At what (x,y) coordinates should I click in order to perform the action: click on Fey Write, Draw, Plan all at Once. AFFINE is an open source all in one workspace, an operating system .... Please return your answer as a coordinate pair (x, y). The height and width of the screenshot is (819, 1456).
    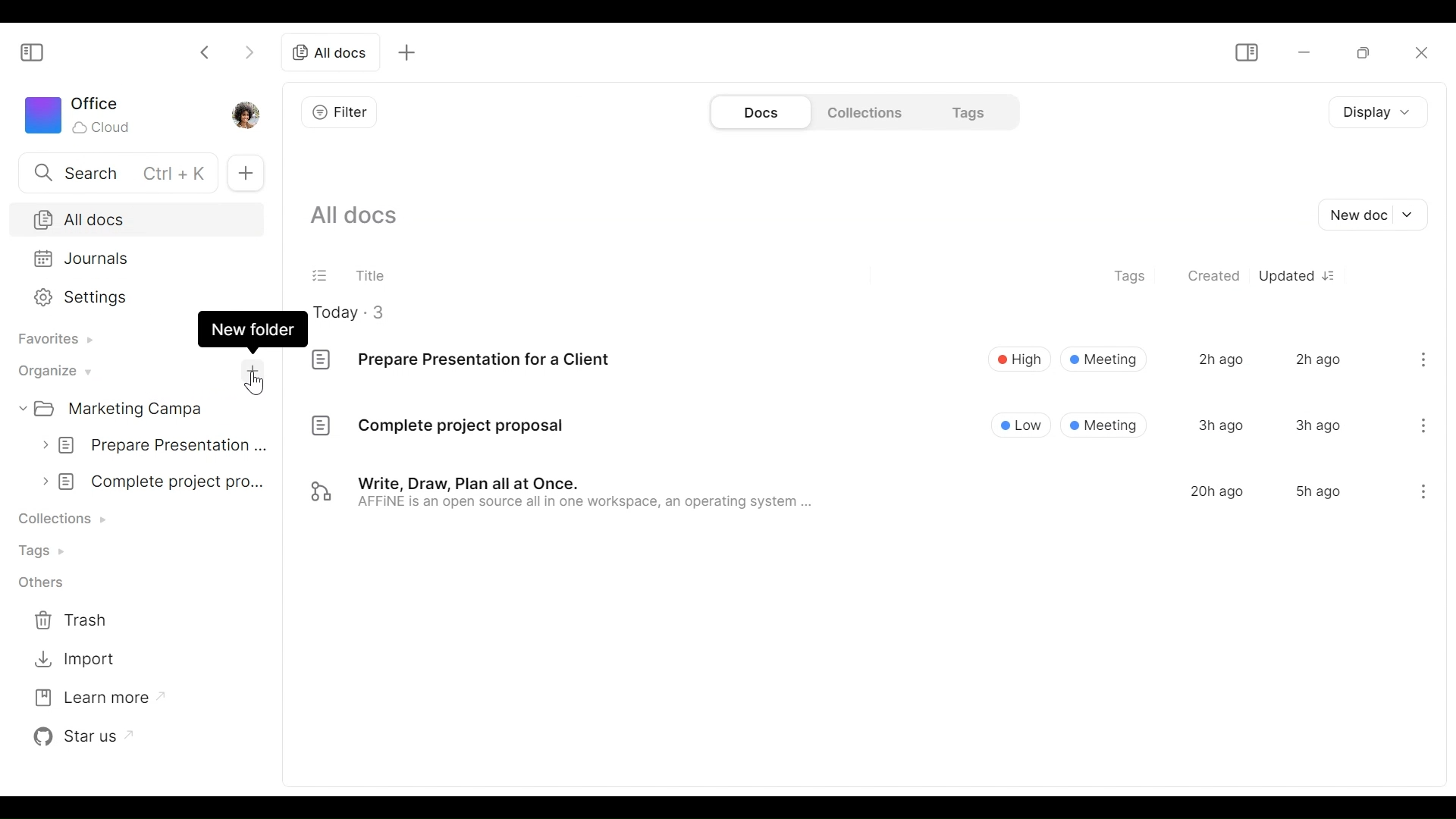
    Looking at the image, I should click on (563, 494).